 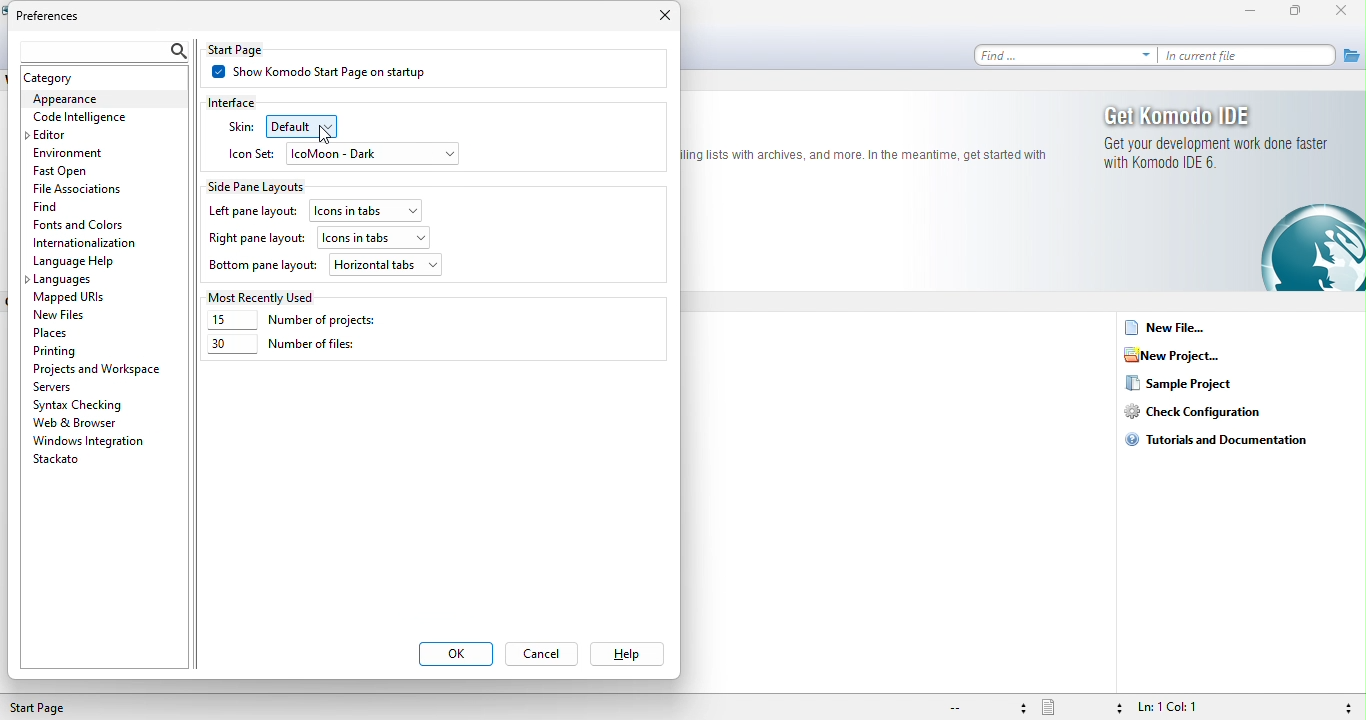 I want to click on bottom pane layout, so click(x=263, y=267).